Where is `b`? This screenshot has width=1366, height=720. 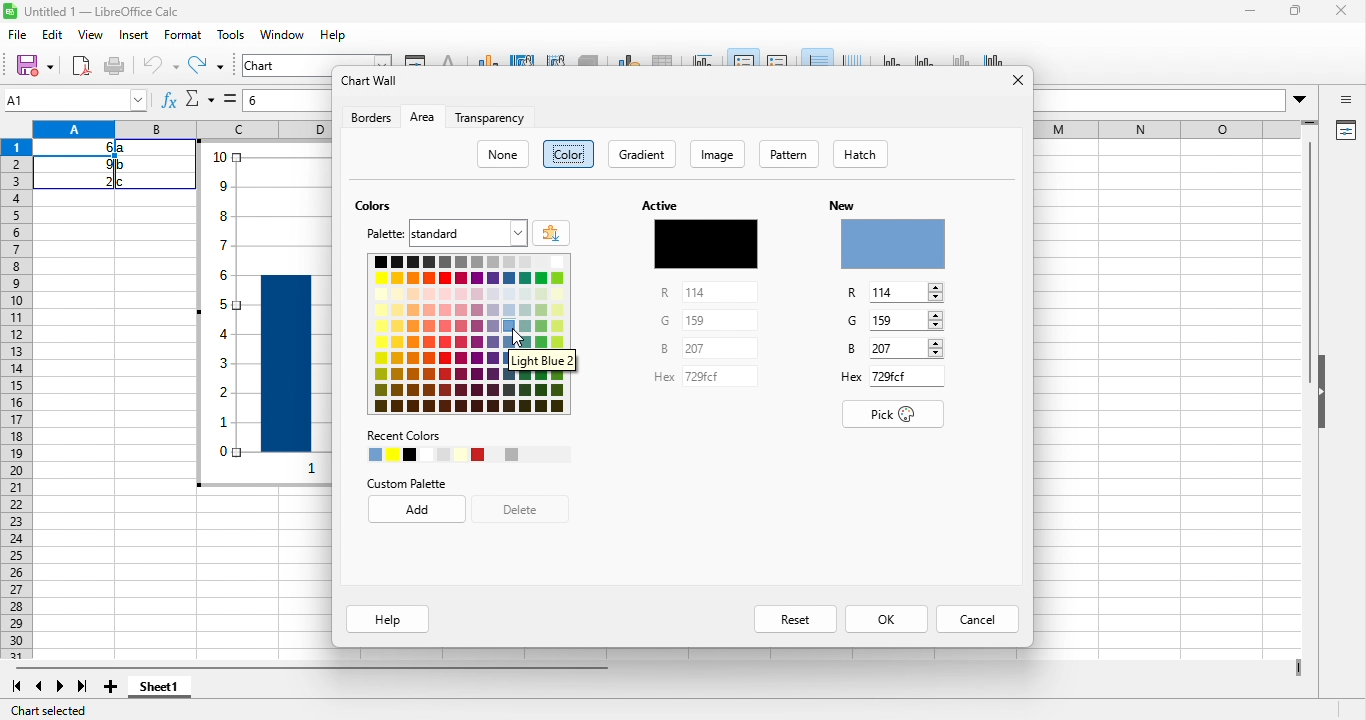
b is located at coordinates (122, 165).